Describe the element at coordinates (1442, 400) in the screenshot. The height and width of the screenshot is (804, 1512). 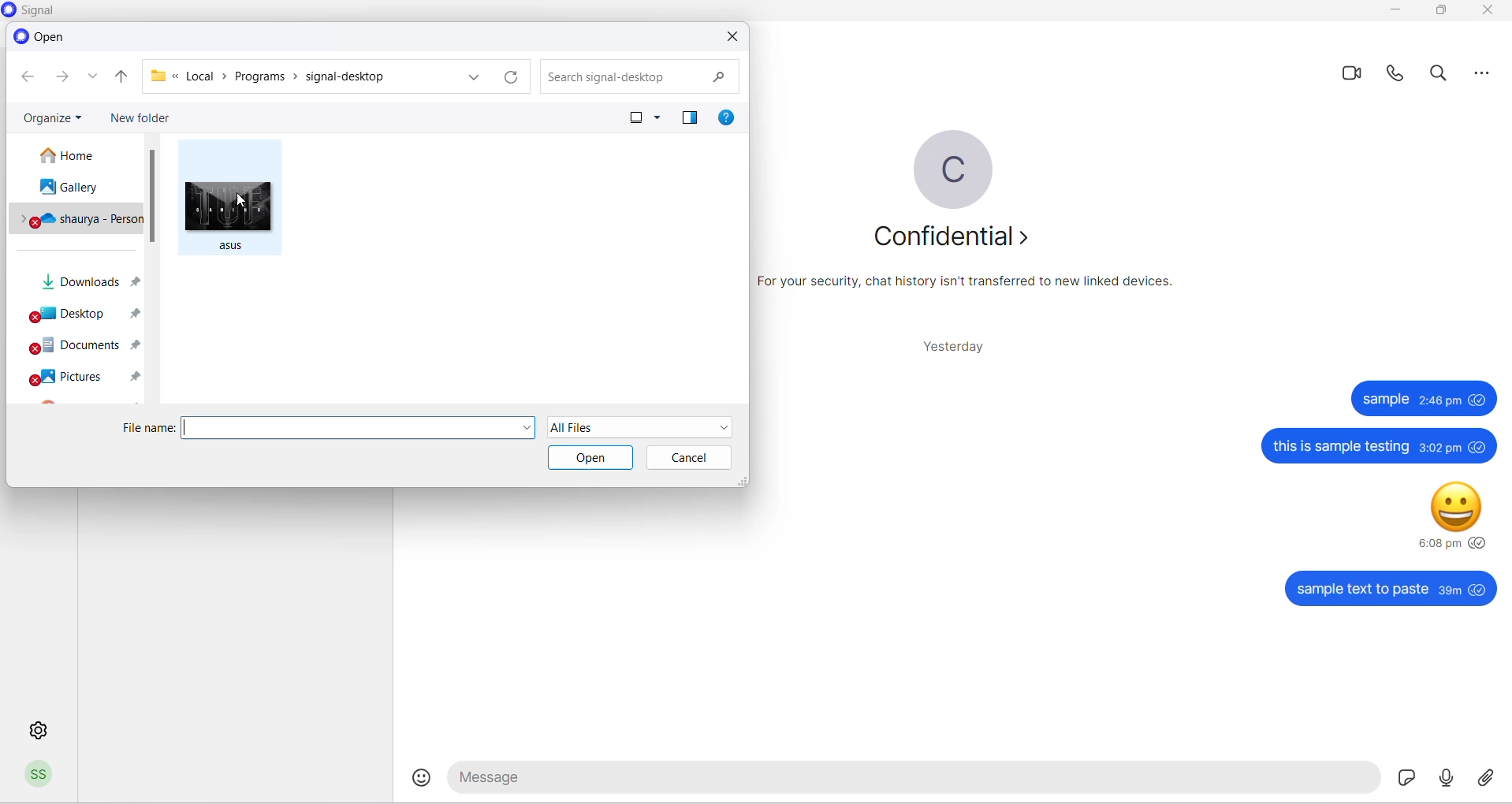
I see `2:46 pm` at that location.